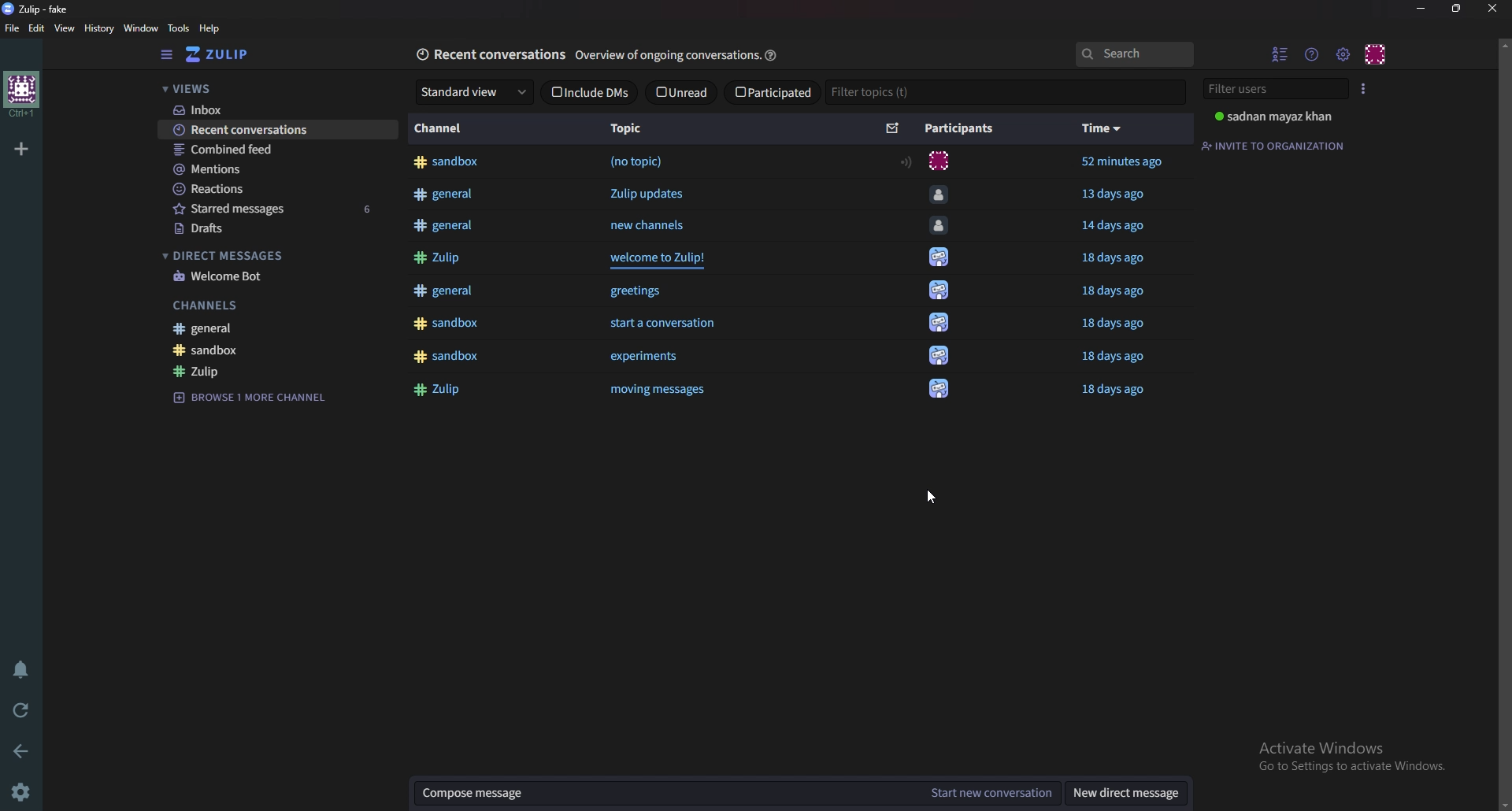 The height and width of the screenshot is (811, 1512). What do you see at coordinates (893, 127) in the screenshot?
I see `sort by unread message count` at bounding box center [893, 127].